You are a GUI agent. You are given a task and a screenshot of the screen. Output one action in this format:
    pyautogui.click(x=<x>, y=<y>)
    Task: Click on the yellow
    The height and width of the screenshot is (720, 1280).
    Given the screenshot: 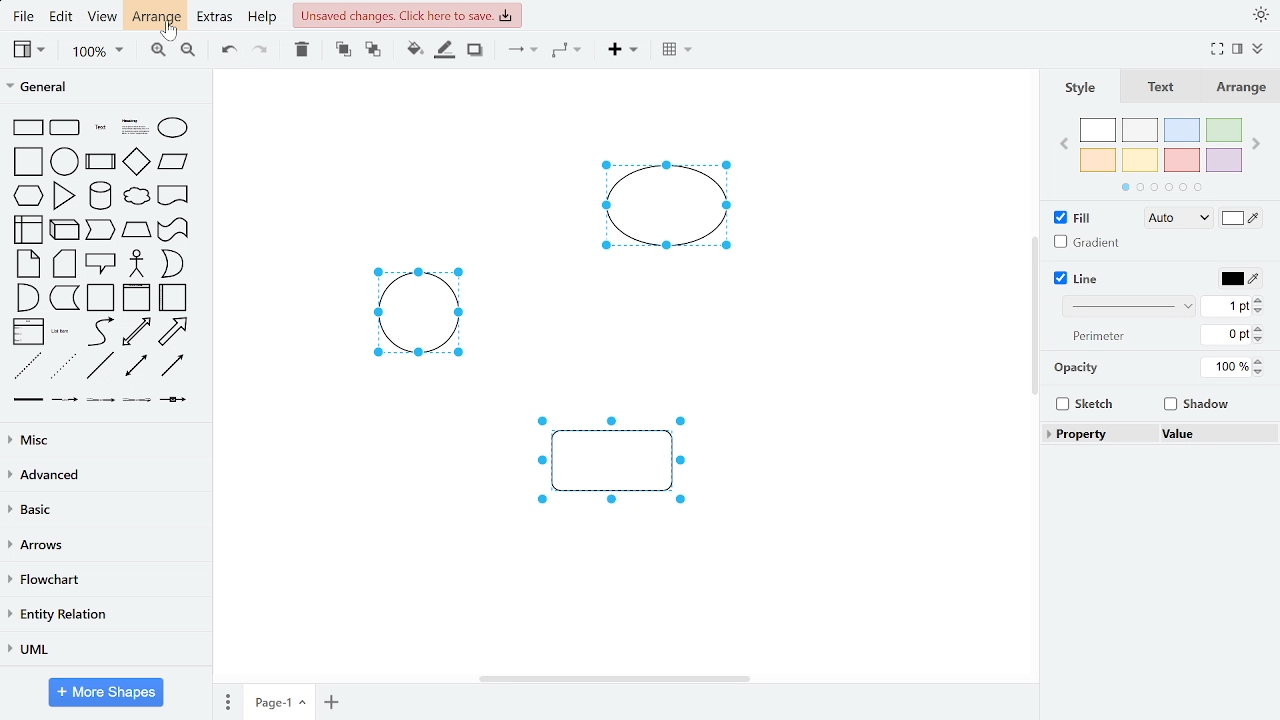 What is the action you would take?
    pyautogui.click(x=1142, y=160)
    